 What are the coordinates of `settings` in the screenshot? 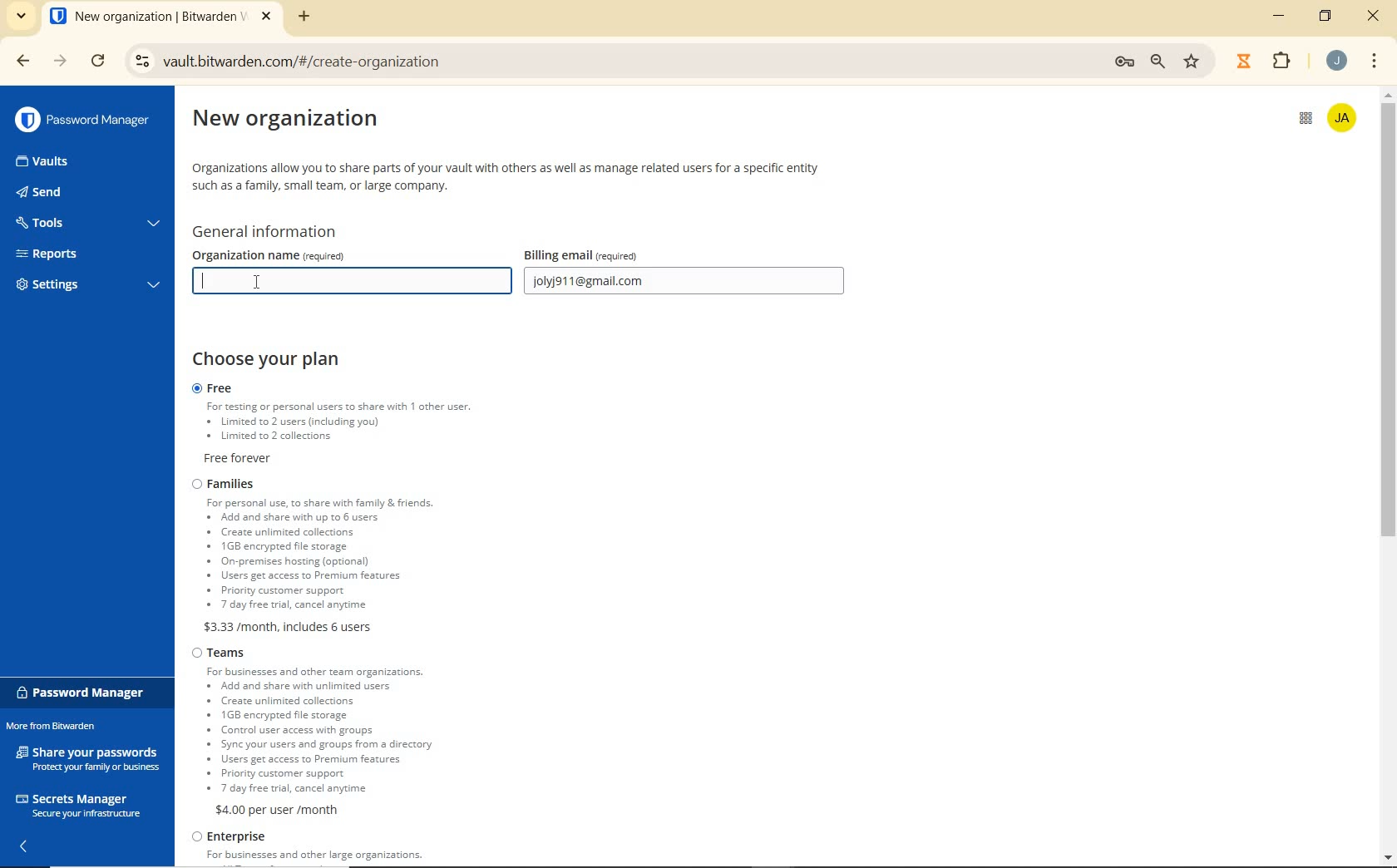 It's located at (85, 287).